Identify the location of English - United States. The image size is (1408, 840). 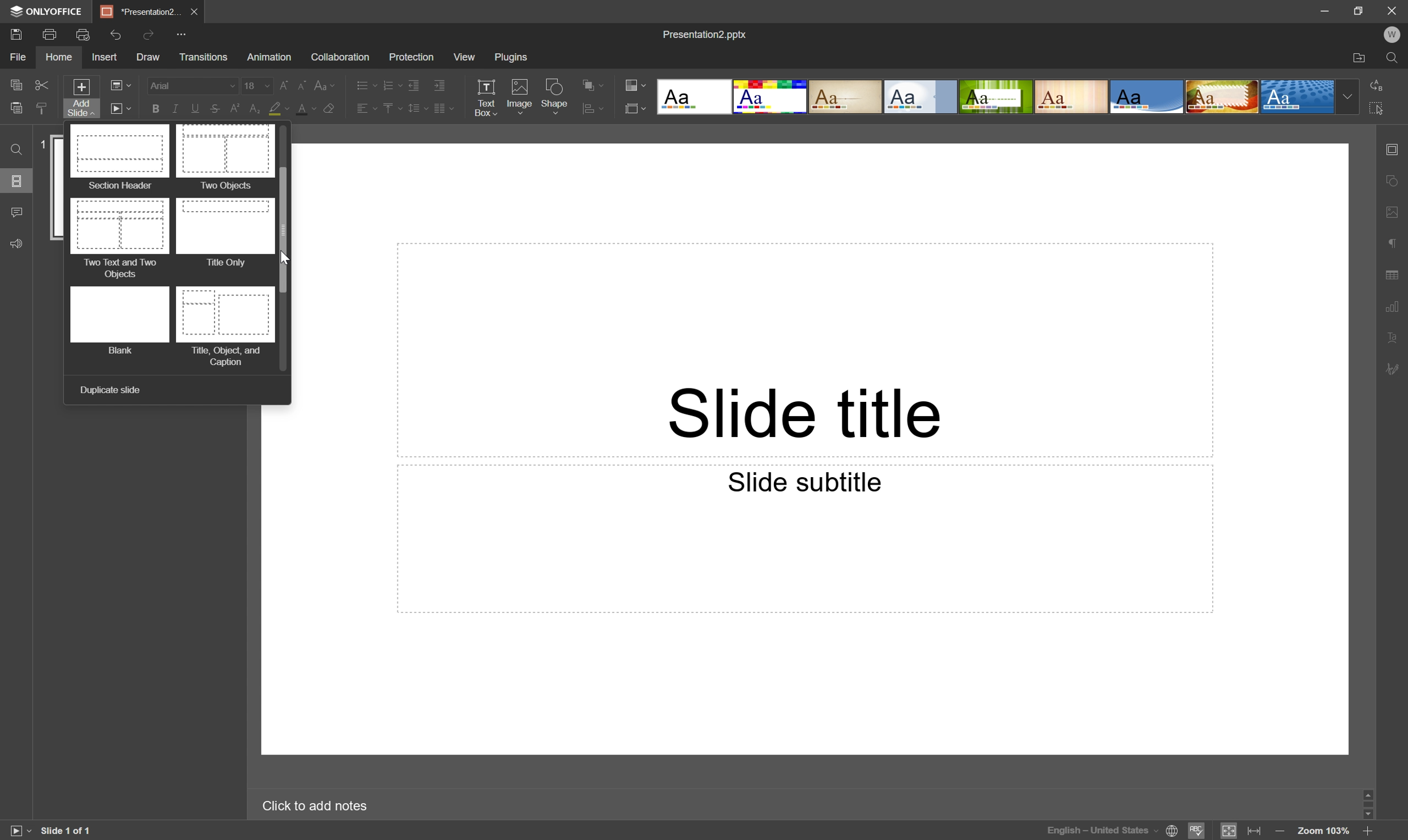
(1100, 833).